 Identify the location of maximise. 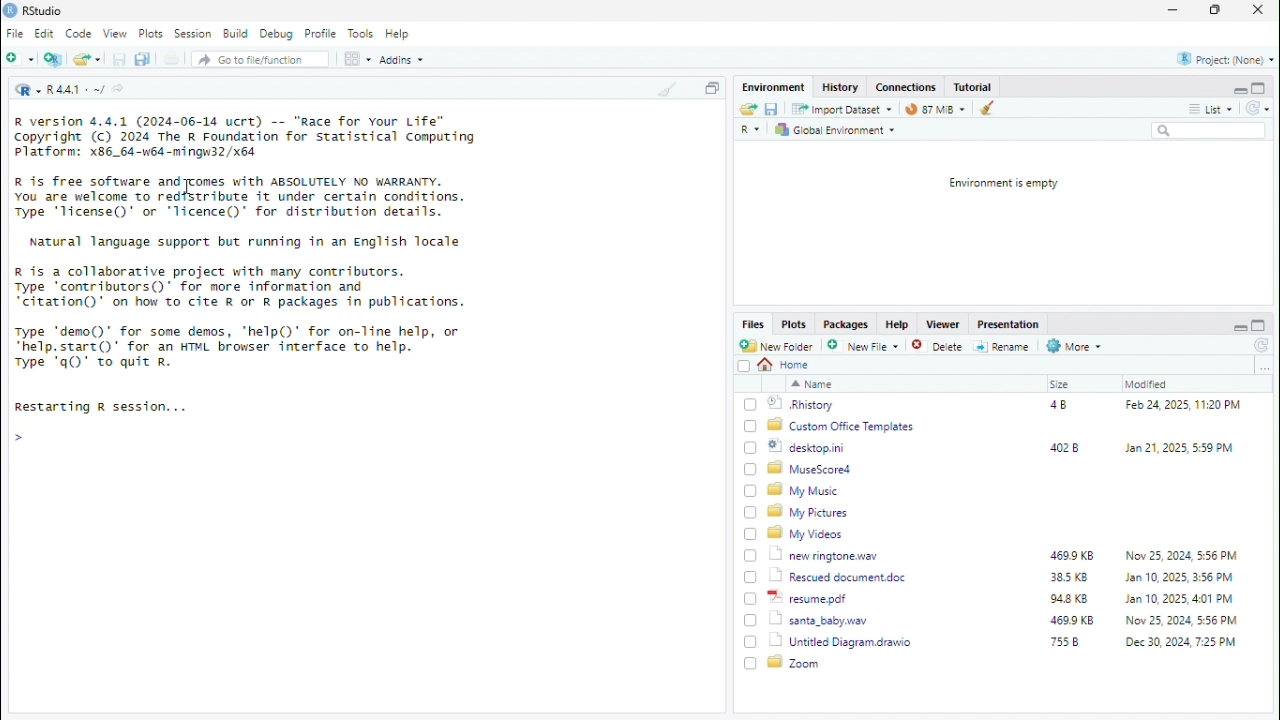
(1259, 87).